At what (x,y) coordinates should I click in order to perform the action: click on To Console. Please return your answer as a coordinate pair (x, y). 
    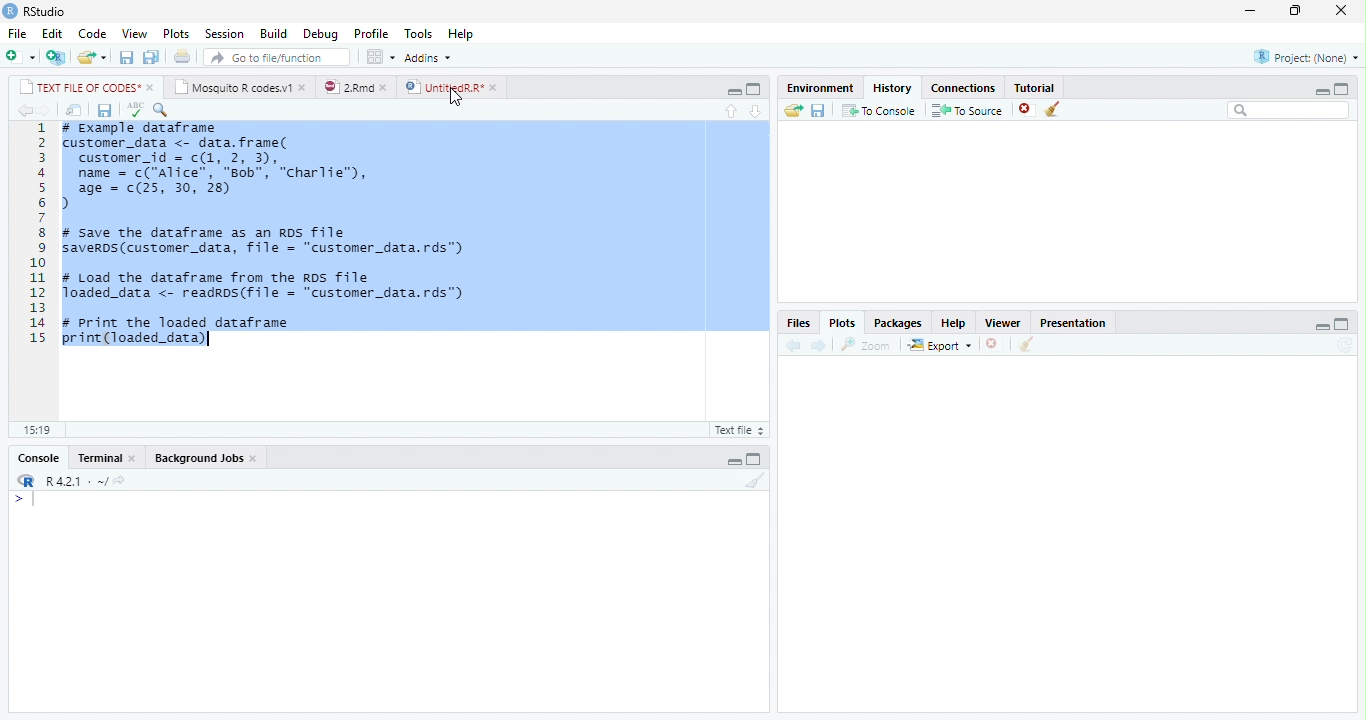
    Looking at the image, I should click on (878, 110).